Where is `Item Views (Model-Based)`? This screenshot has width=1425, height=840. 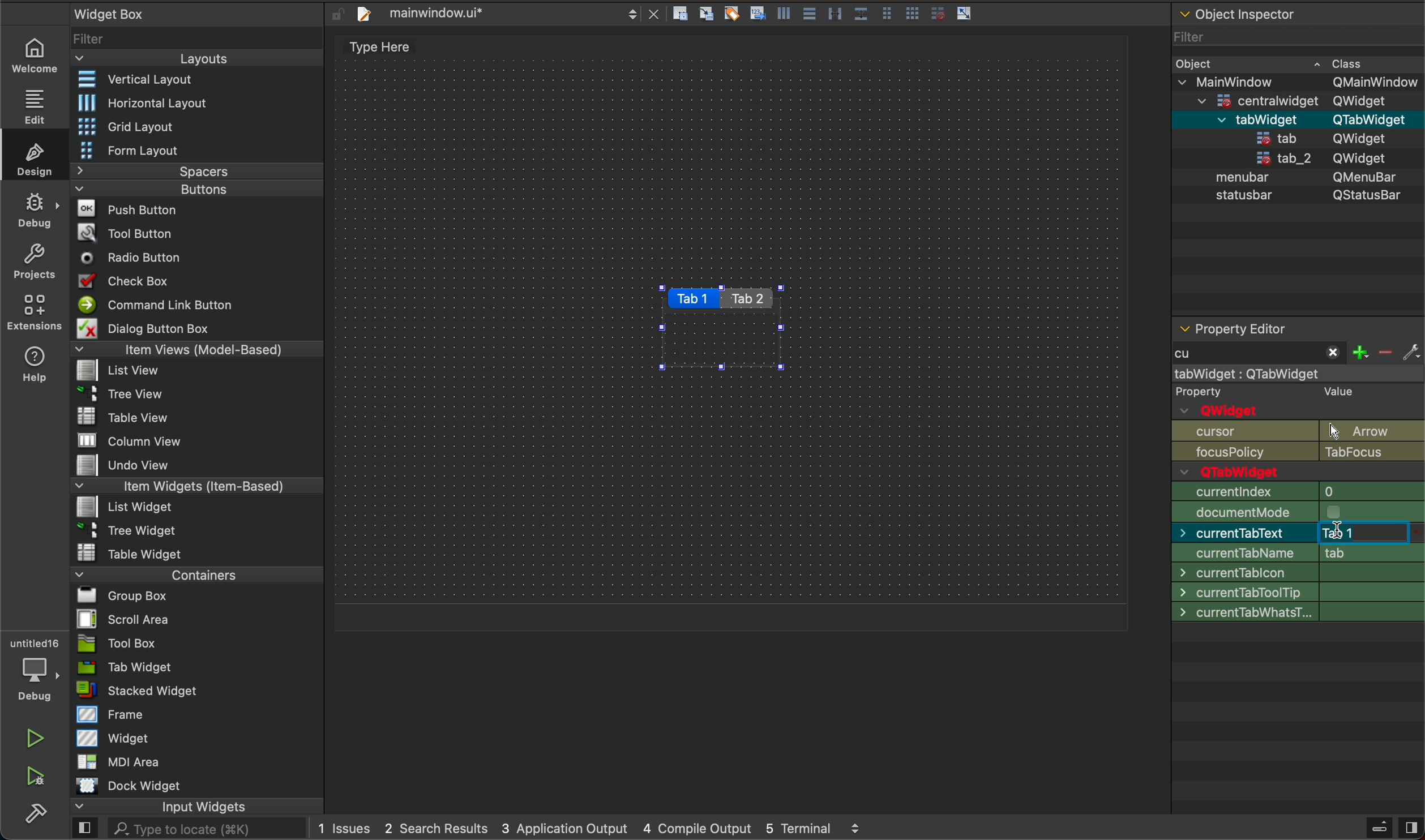 Item Views (Model-Based) is located at coordinates (198, 350).